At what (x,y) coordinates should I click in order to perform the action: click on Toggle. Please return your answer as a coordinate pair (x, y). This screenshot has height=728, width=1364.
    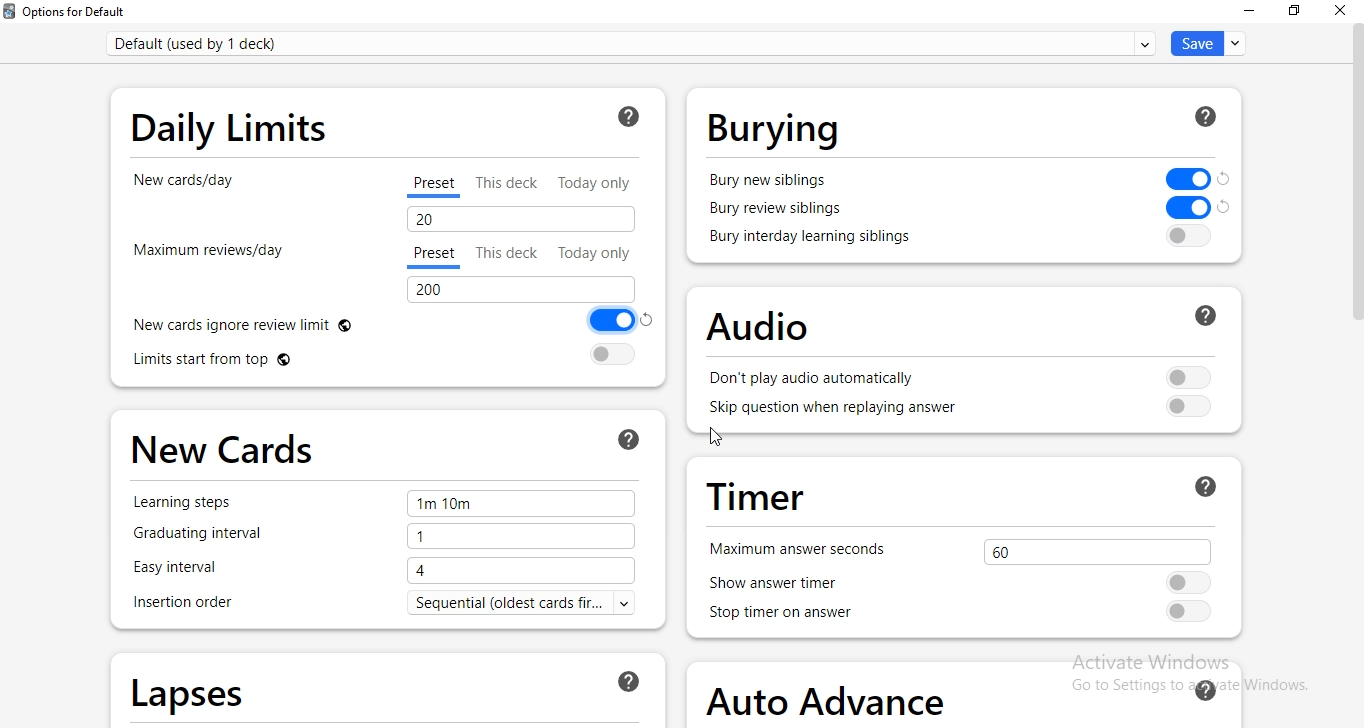
    Looking at the image, I should click on (1191, 375).